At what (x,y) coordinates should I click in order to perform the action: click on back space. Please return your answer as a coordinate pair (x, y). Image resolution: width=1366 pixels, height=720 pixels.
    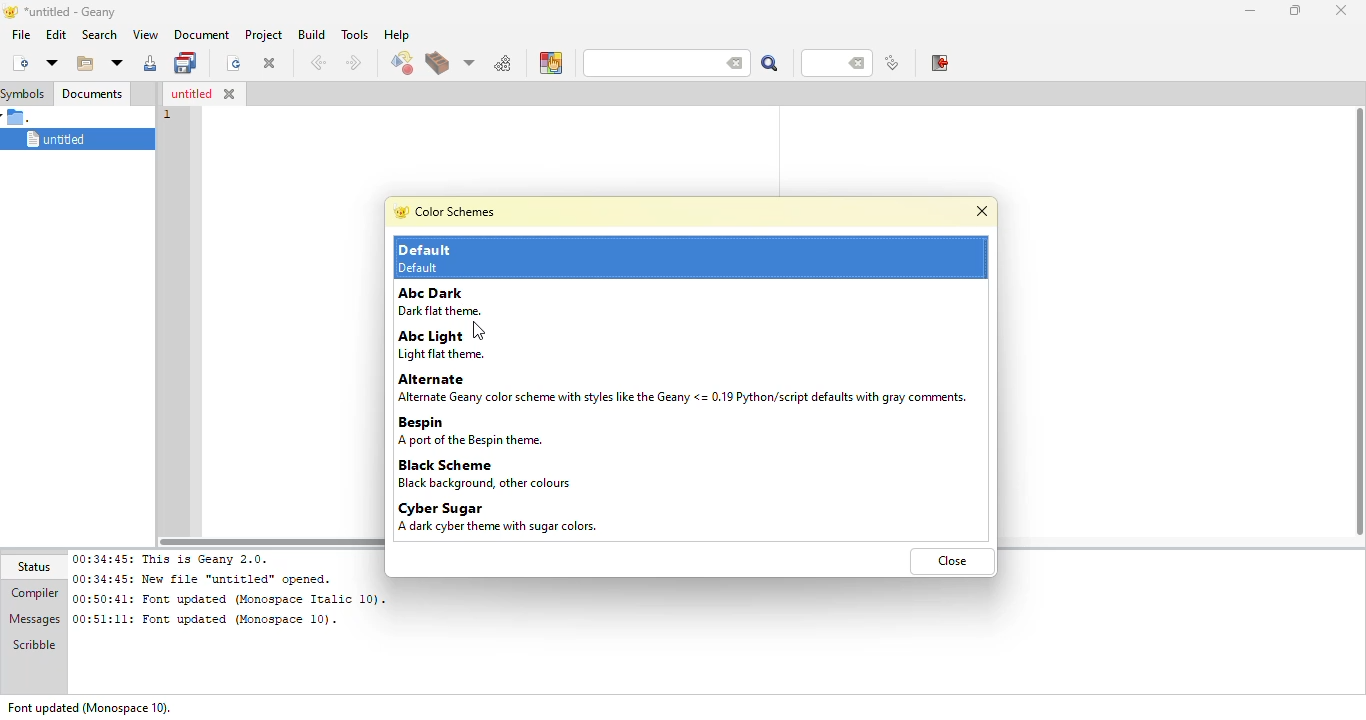
    Looking at the image, I should click on (730, 61).